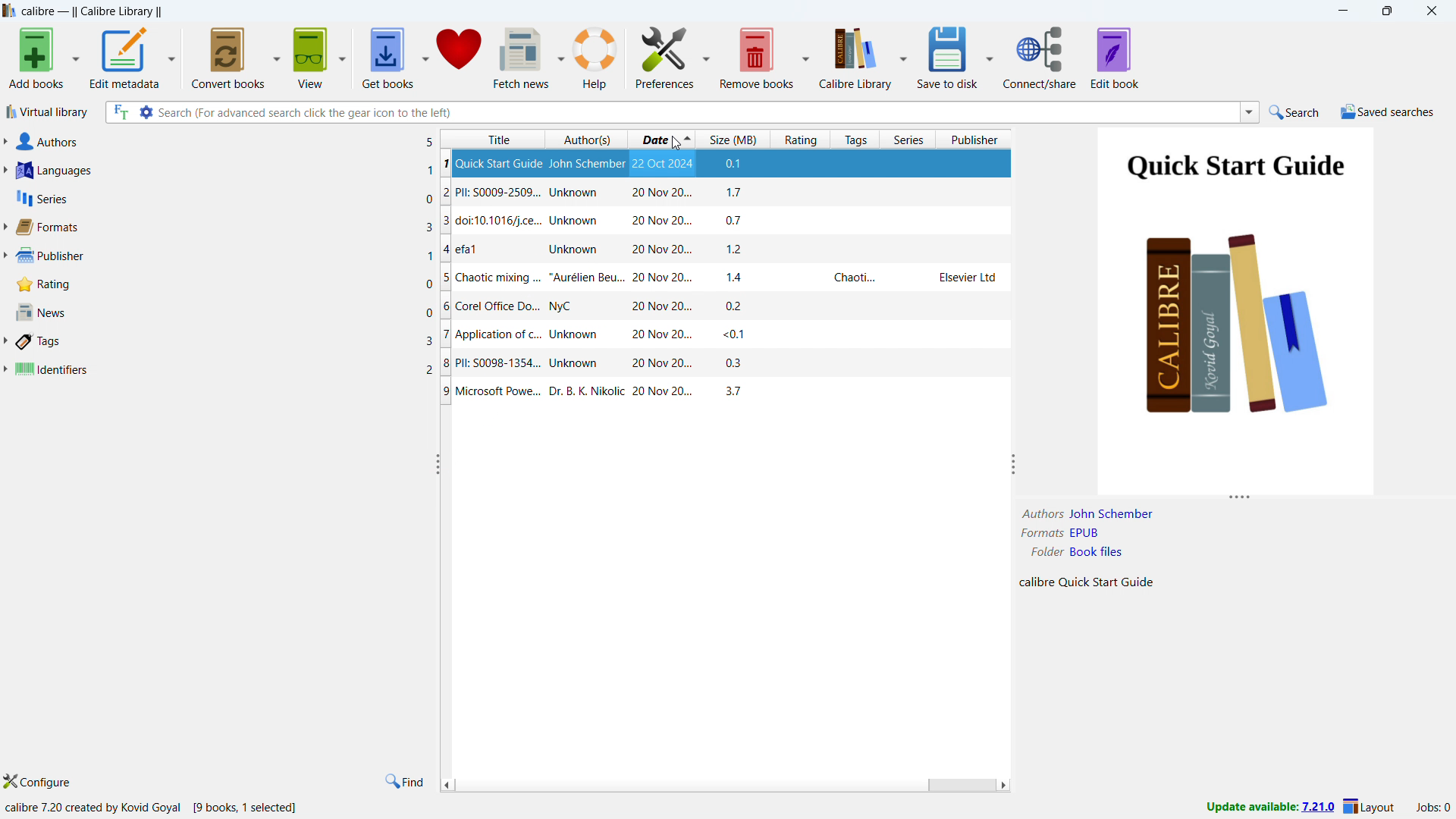 The width and height of the screenshot is (1456, 819). I want to click on efal, so click(479, 221).